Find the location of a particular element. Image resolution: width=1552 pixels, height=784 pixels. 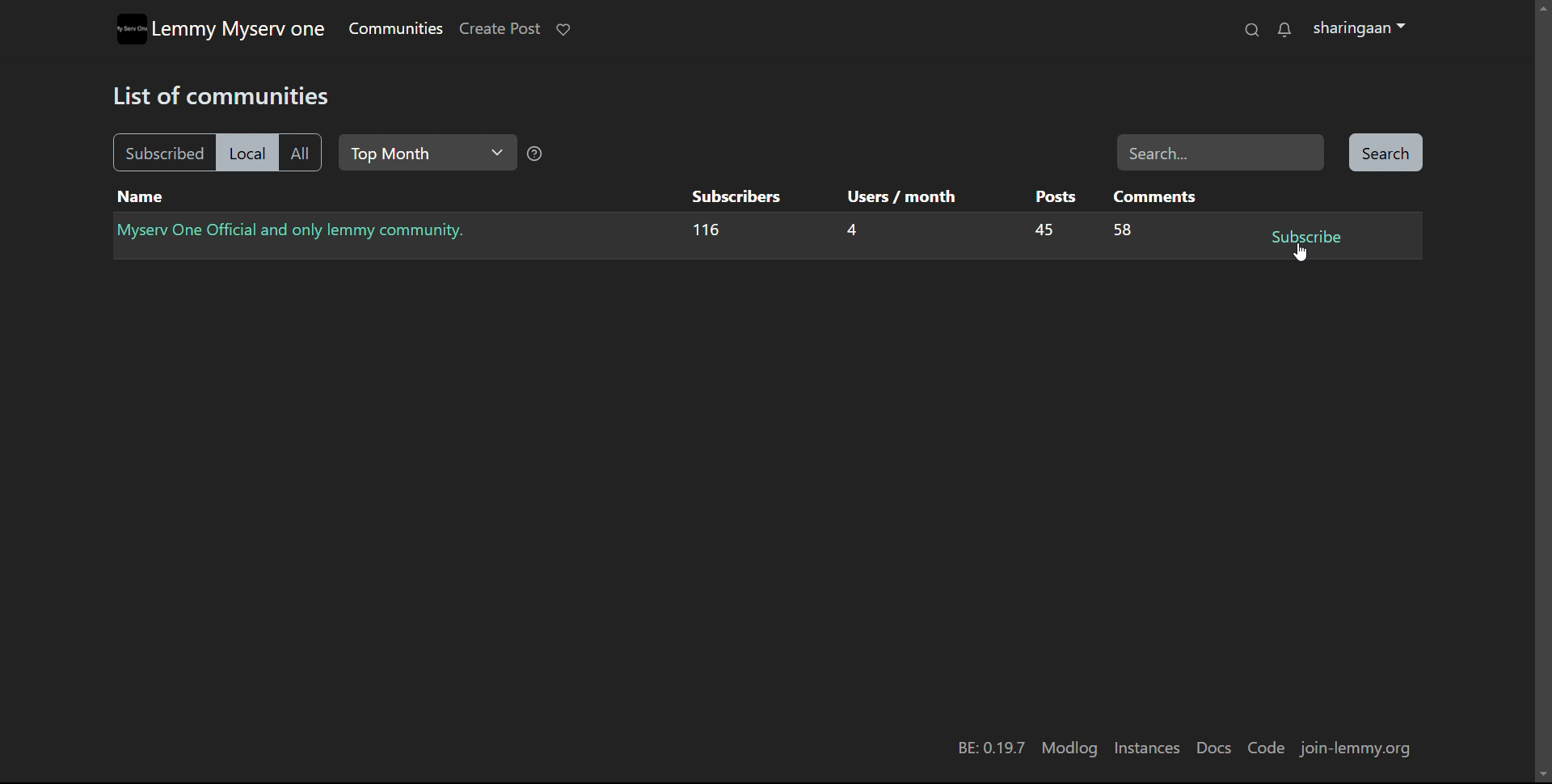

scroll up is located at coordinates (1542, 6).